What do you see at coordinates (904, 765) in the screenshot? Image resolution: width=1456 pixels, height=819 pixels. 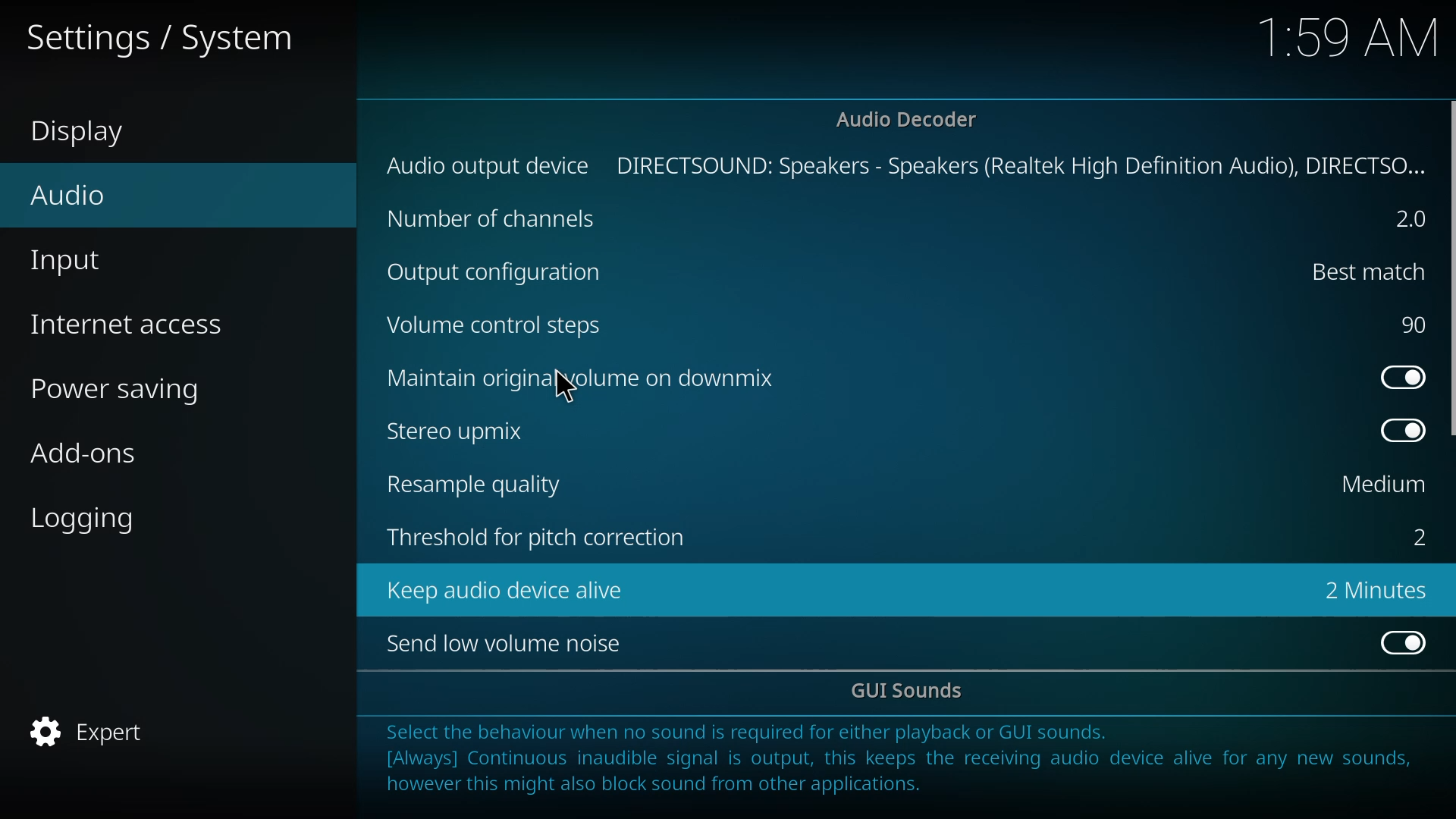 I see `info` at bounding box center [904, 765].